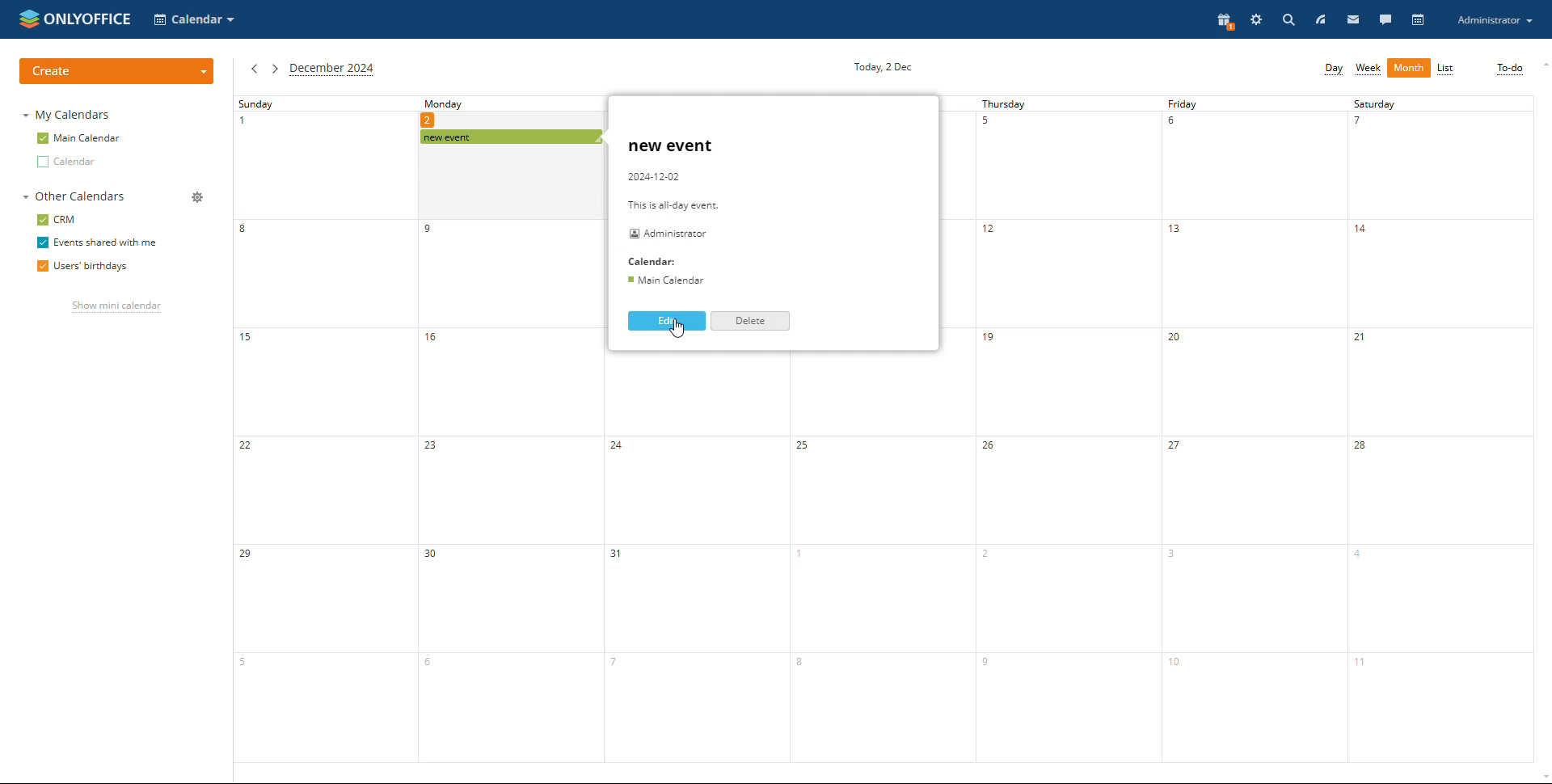 The height and width of the screenshot is (784, 1552). What do you see at coordinates (512, 137) in the screenshot?
I see `scheduled event` at bounding box center [512, 137].